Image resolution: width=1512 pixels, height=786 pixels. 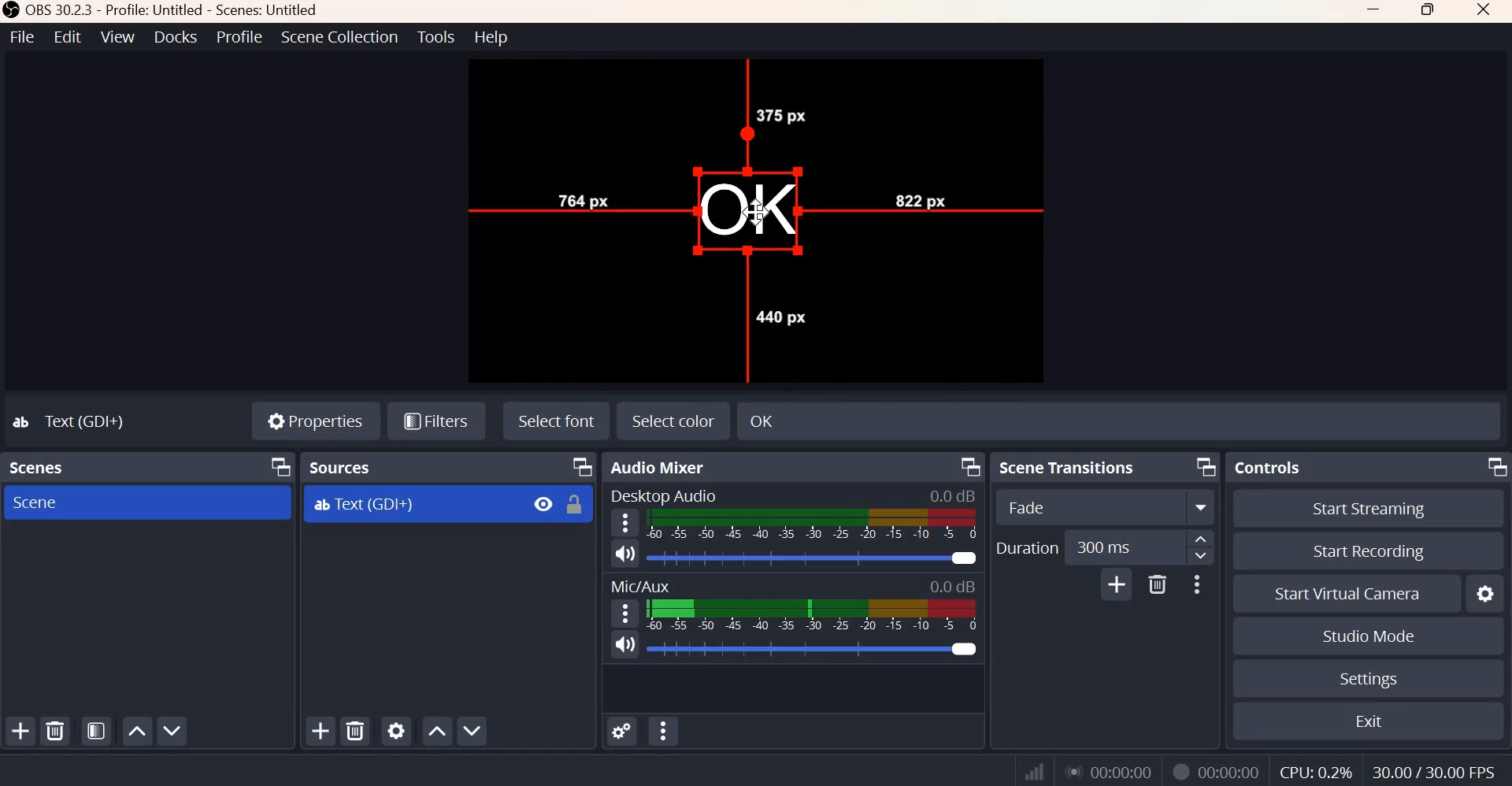 What do you see at coordinates (1266, 466) in the screenshot?
I see `controls` at bounding box center [1266, 466].